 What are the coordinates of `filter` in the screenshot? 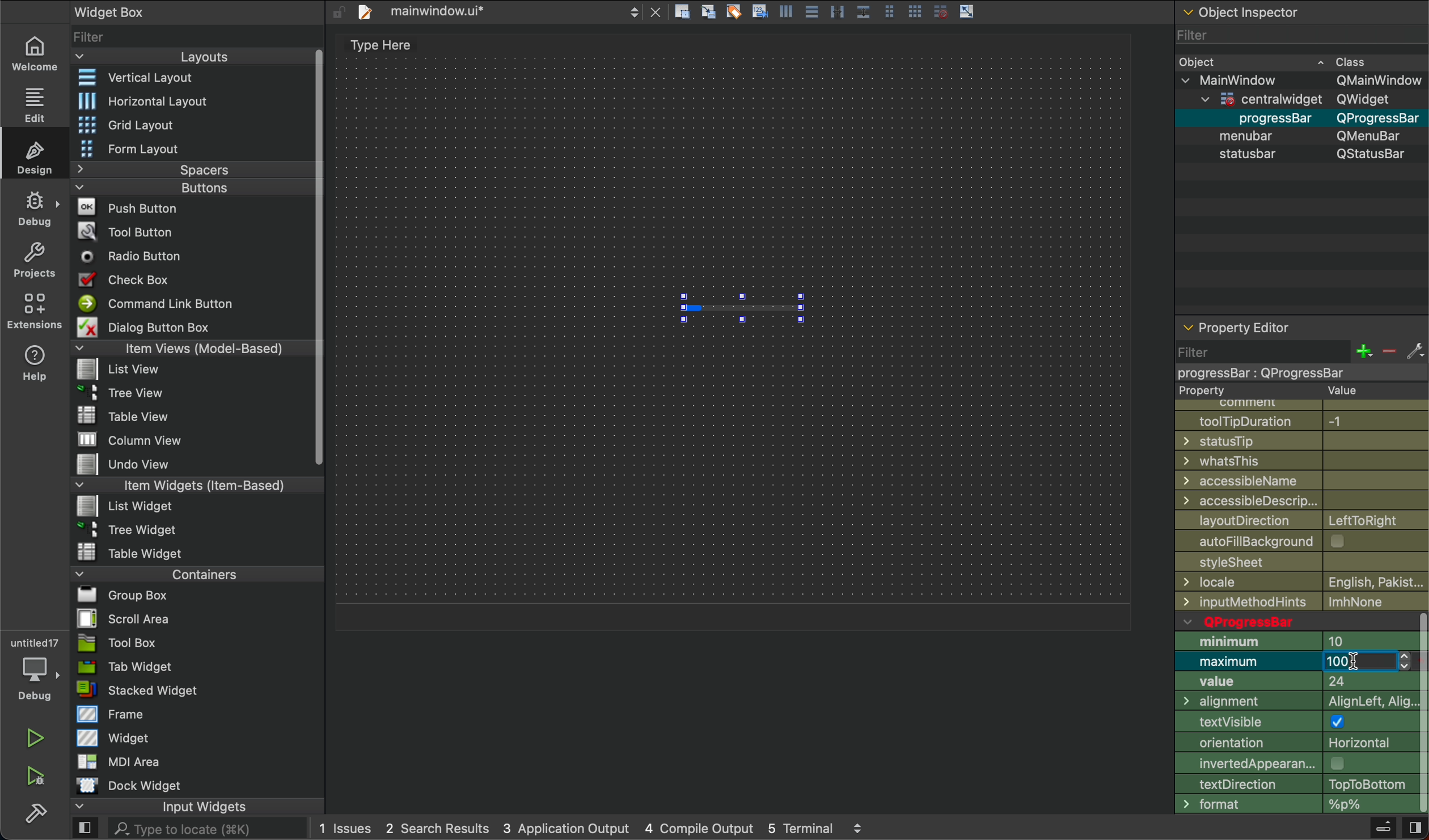 It's located at (1299, 360).